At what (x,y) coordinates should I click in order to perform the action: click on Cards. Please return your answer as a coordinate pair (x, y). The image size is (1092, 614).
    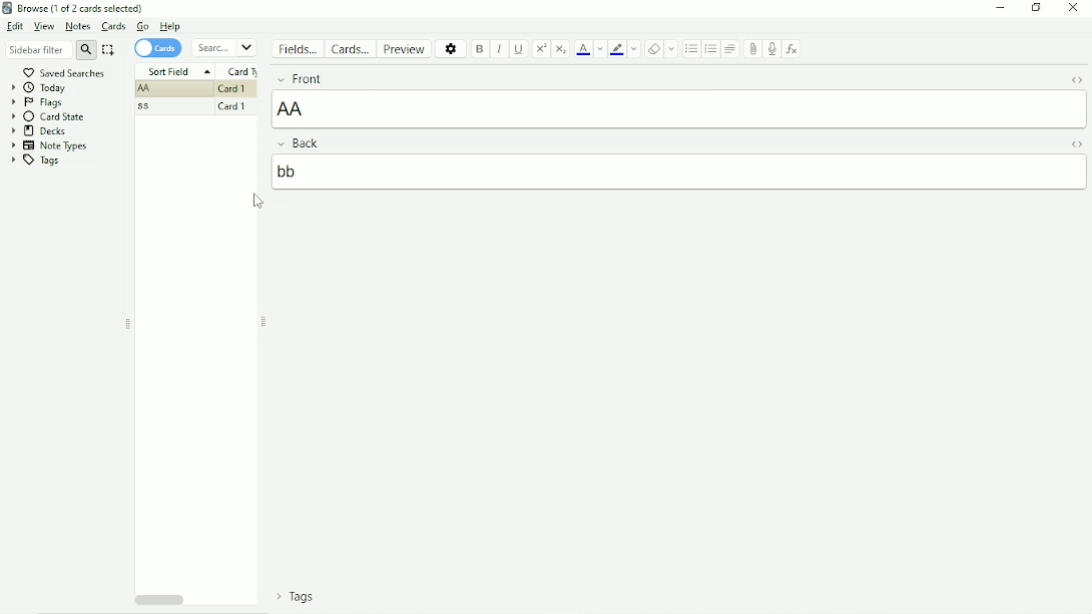
    Looking at the image, I should click on (158, 48).